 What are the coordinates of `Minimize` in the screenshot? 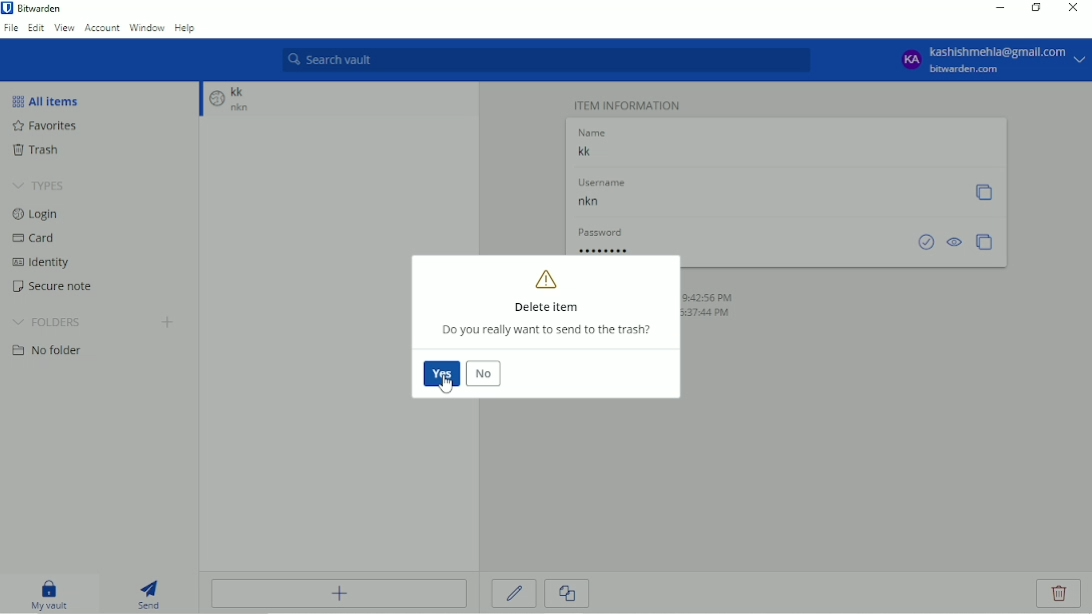 It's located at (999, 8).